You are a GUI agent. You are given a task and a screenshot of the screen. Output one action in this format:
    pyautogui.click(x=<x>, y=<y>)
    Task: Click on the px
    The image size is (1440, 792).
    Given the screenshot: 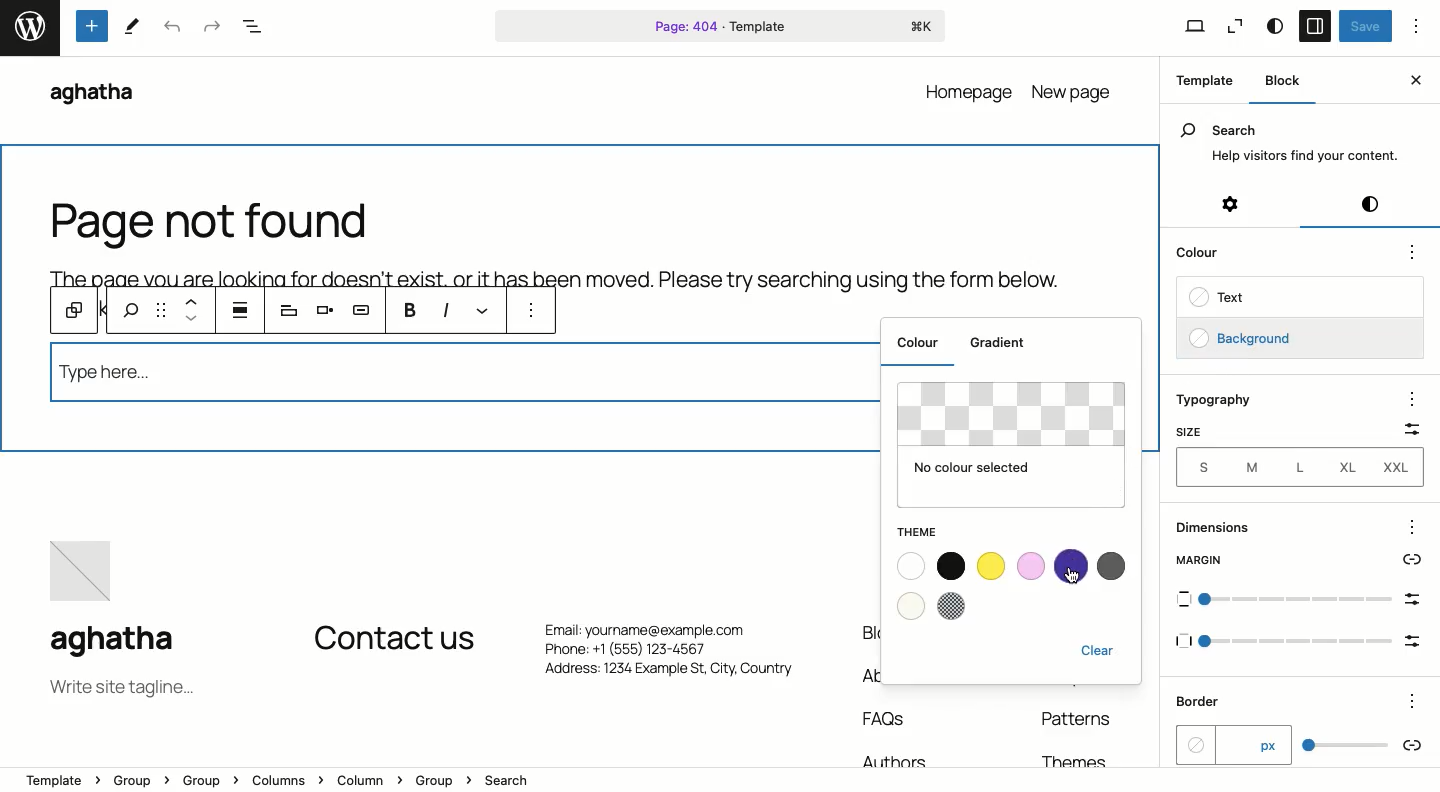 What is the action you would take?
    pyautogui.click(x=1232, y=744)
    